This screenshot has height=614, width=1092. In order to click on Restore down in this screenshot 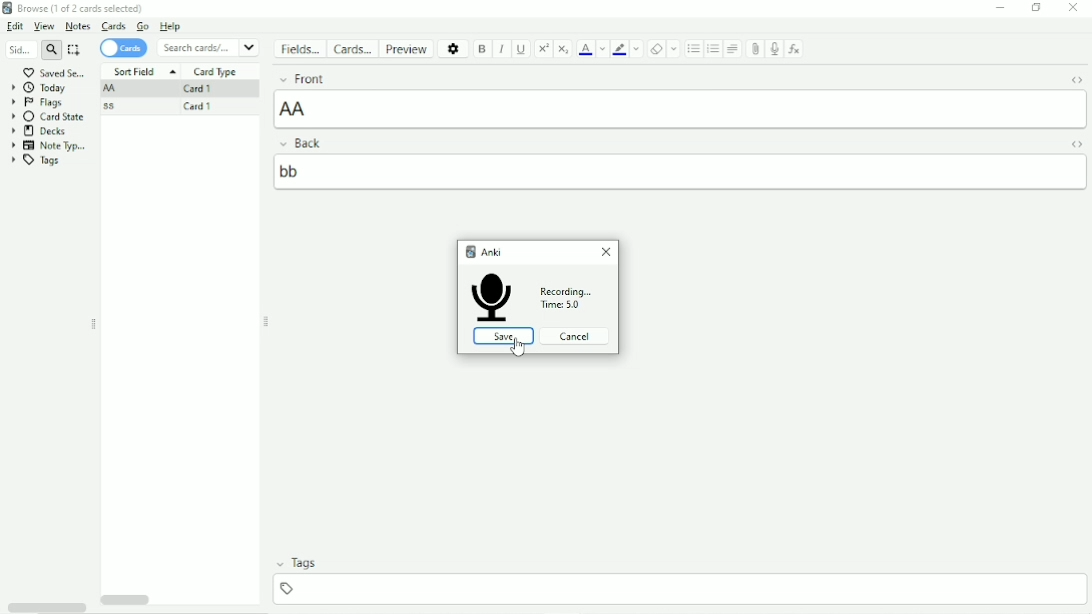, I will do `click(1039, 8)`.